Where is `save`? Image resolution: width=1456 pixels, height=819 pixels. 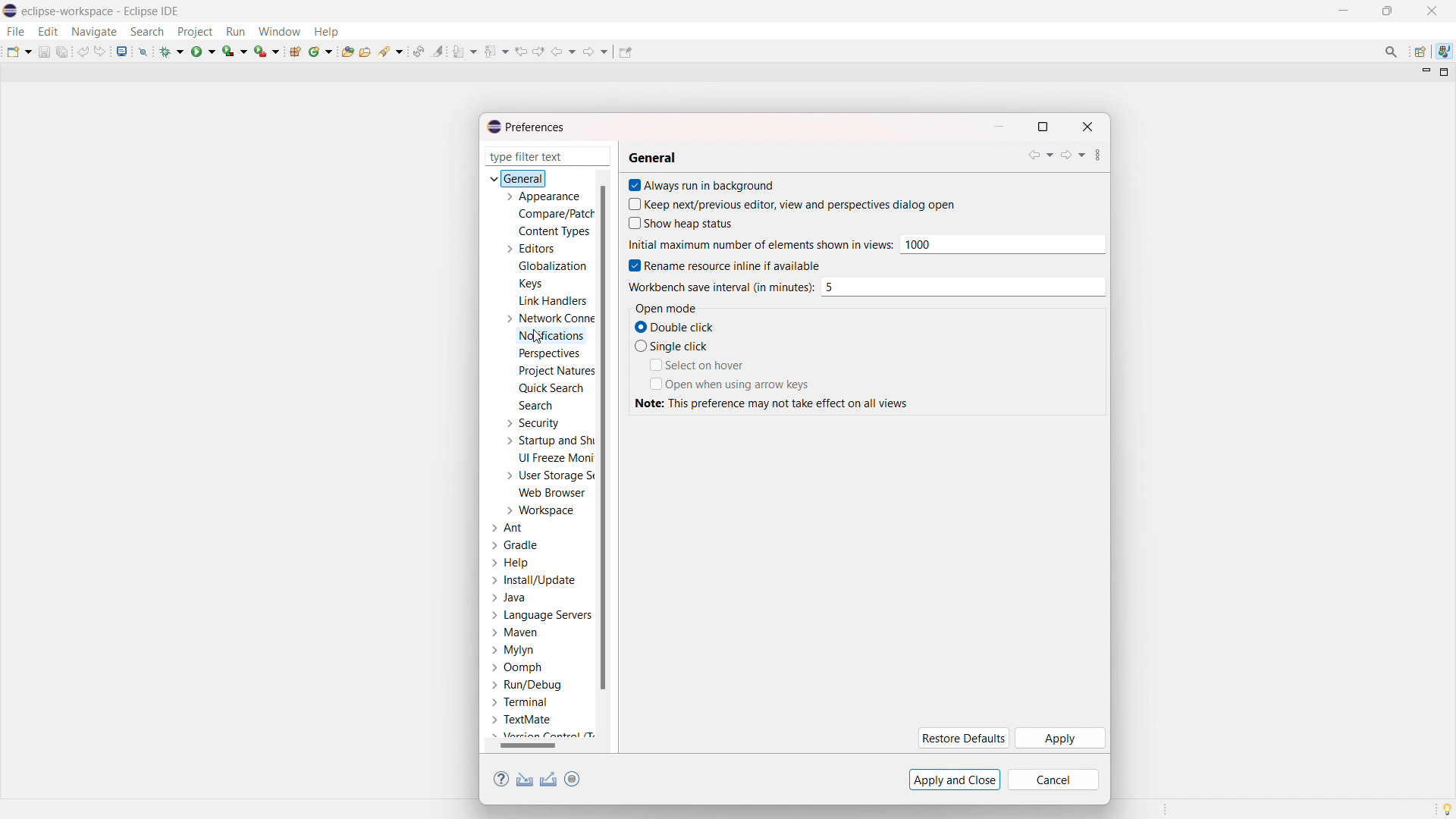
save is located at coordinates (44, 52).